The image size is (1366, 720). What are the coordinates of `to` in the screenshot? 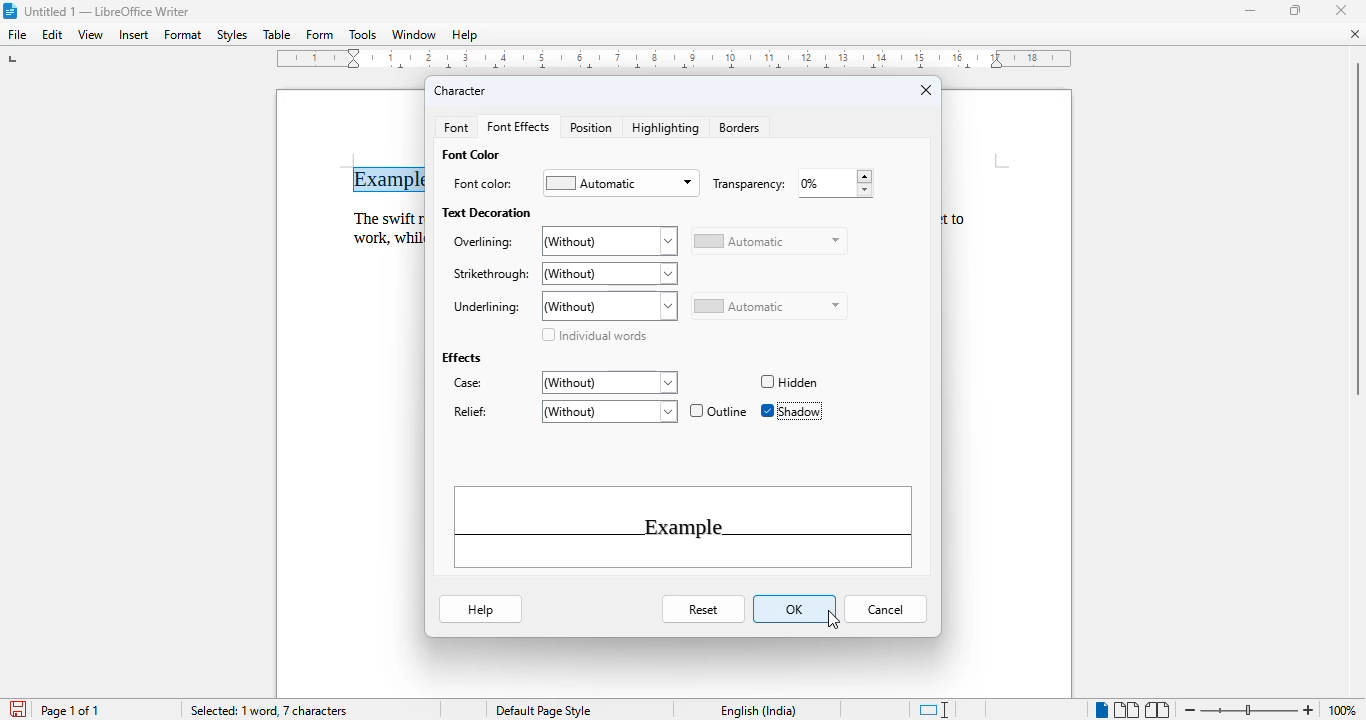 It's located at (963, 218).